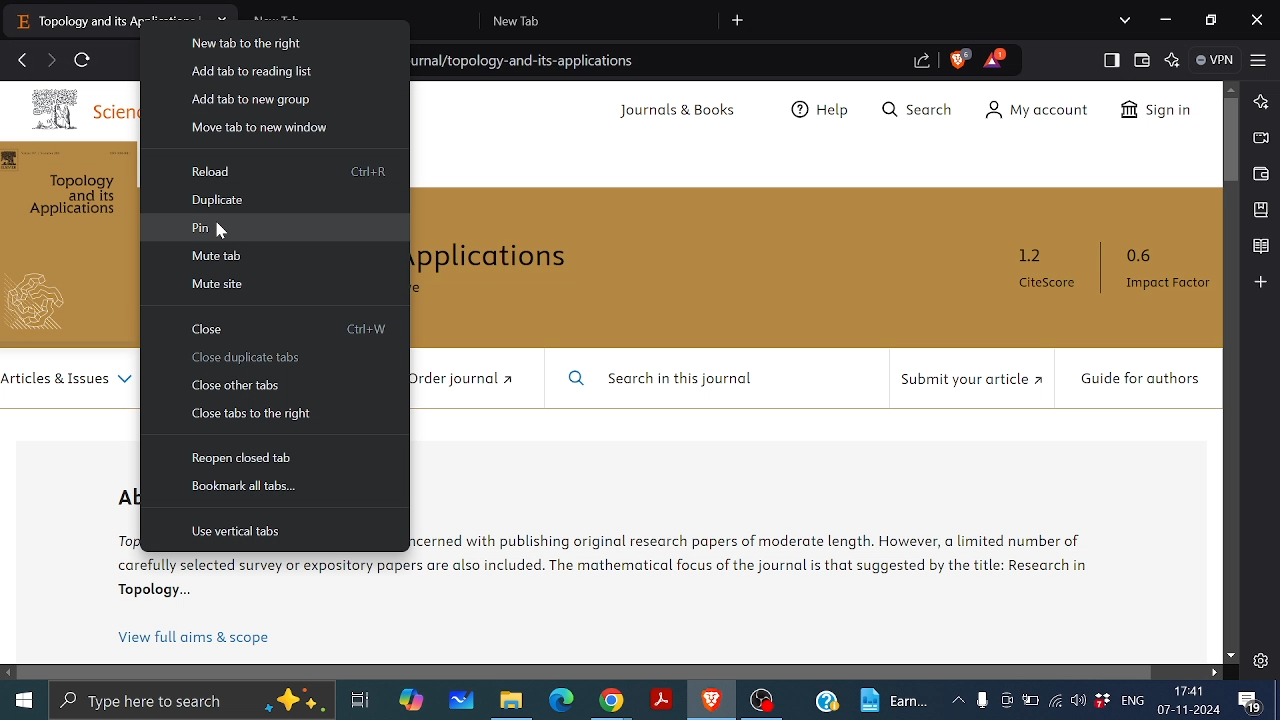  Describe the element at coordinates (1215, 674) in the screenshot. I see `Move right` at that location.